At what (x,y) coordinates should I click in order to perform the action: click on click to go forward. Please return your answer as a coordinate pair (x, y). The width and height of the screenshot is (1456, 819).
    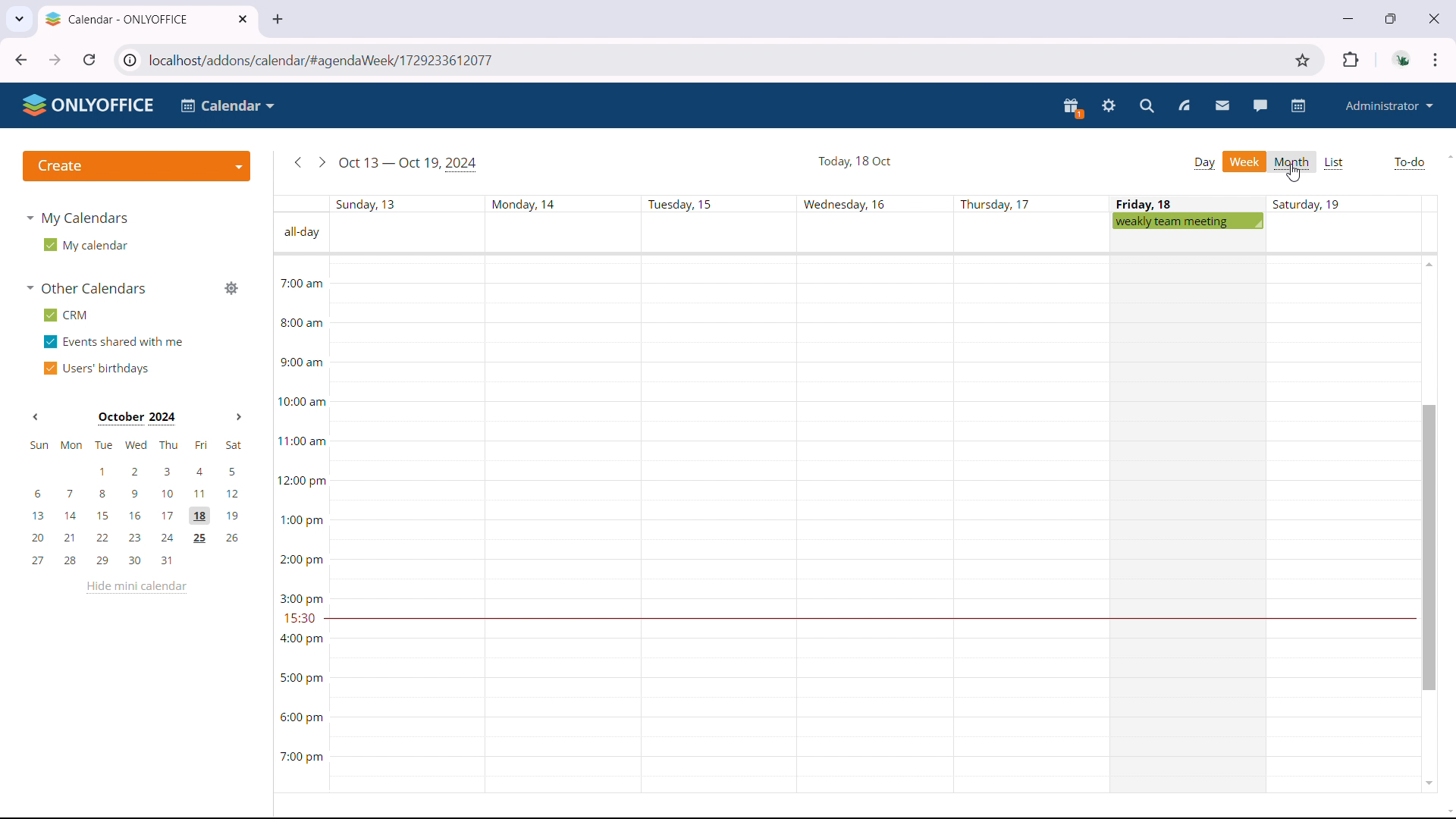
    Looking at the image, I should click on (54, 59).